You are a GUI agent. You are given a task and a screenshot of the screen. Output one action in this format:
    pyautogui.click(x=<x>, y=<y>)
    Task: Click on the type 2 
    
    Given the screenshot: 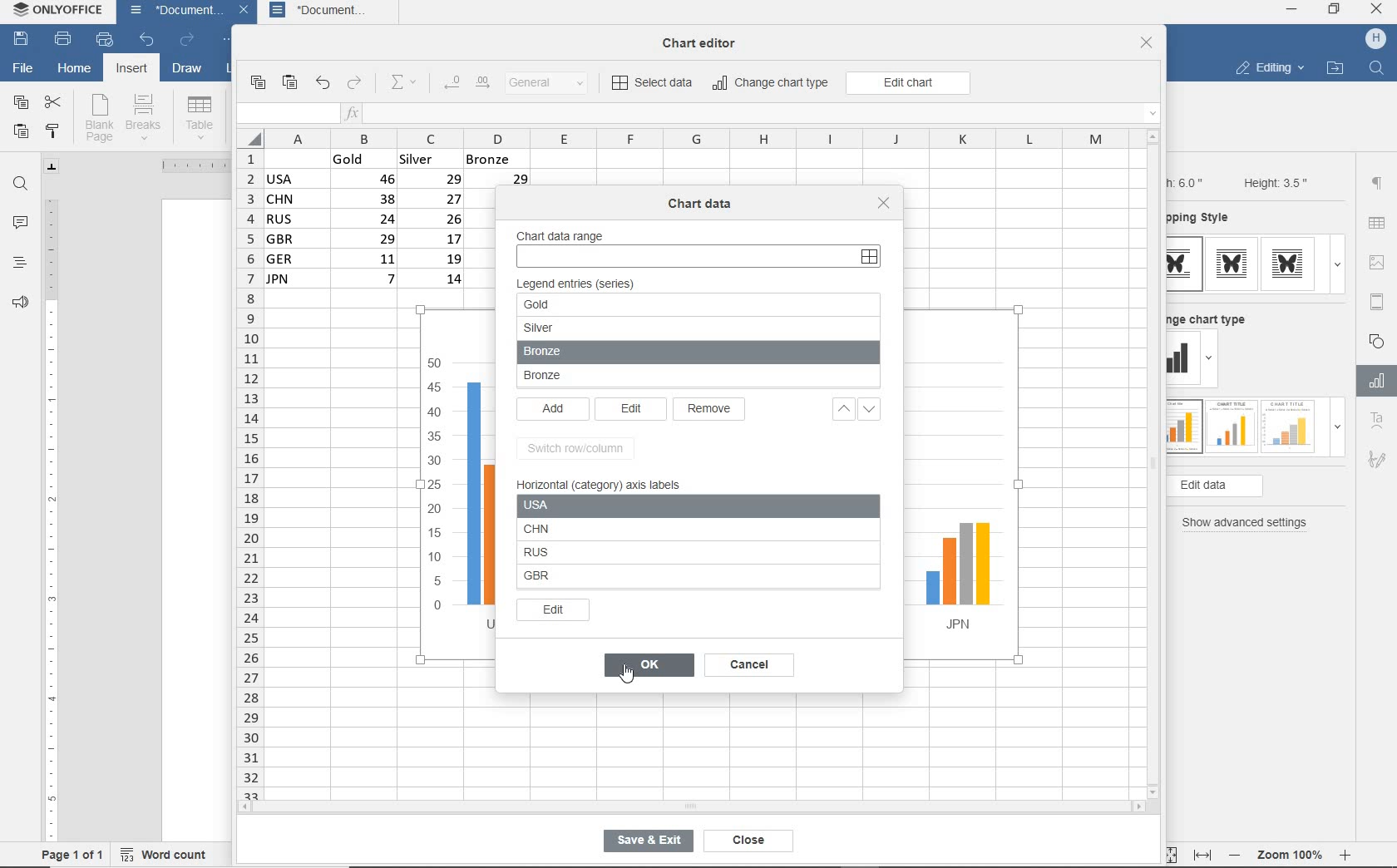 What is the action you would take?
    pyautogui.click(x=1229, y=425)
    